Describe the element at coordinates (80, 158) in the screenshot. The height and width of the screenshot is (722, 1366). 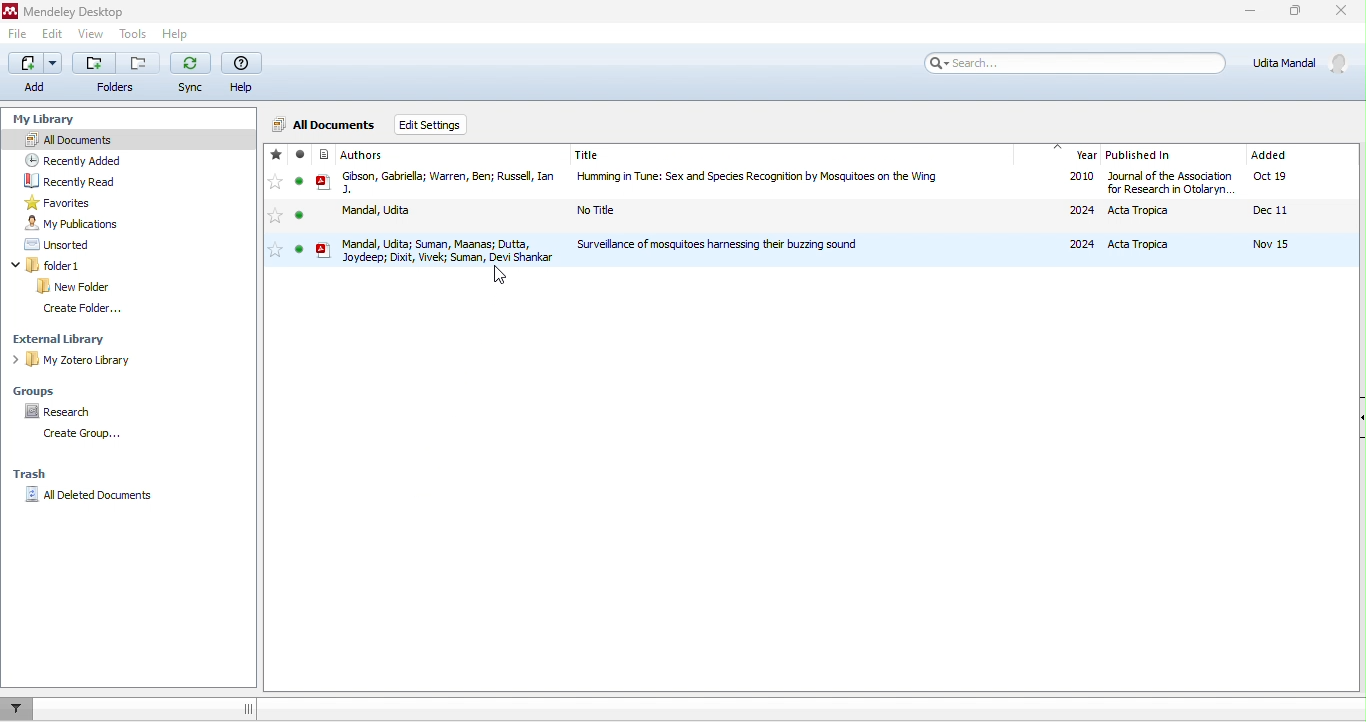
I see `recently added` at that location.